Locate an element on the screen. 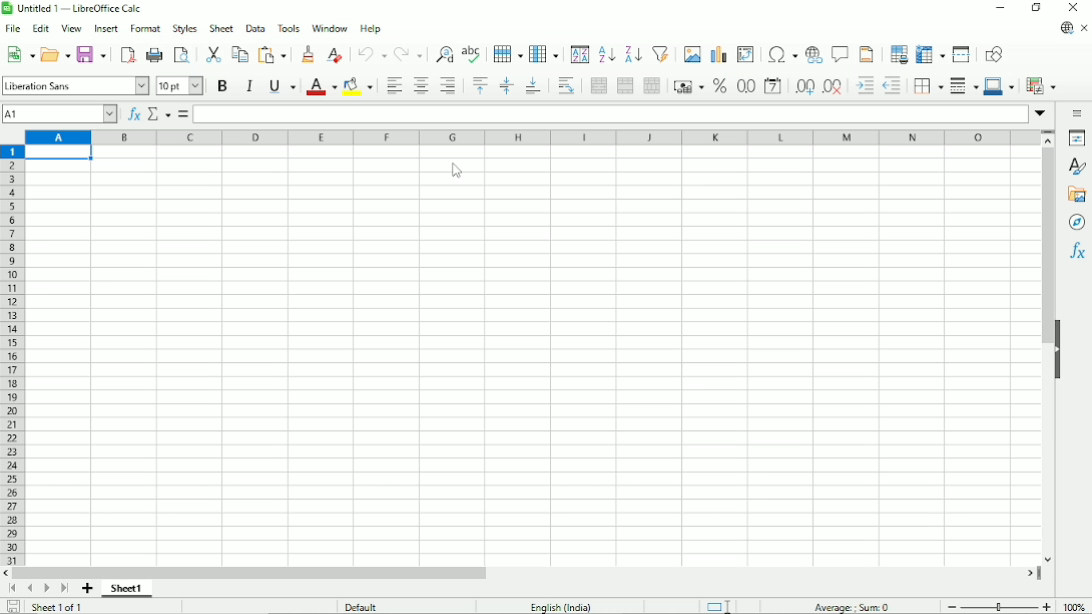  Freeze rows and columns is located at coordinates (930, 54).